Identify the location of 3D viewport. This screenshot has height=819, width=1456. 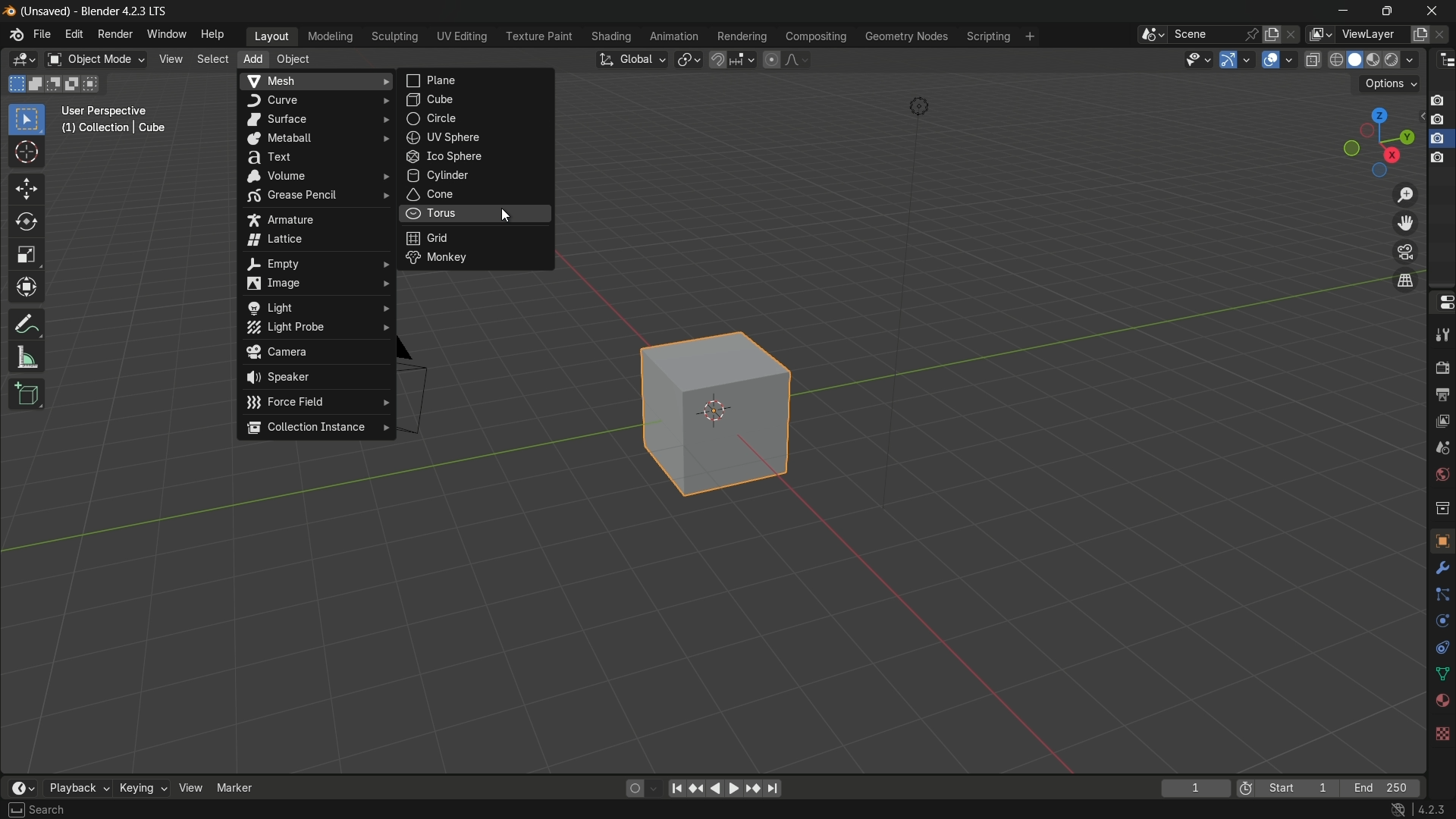
(23, 60).